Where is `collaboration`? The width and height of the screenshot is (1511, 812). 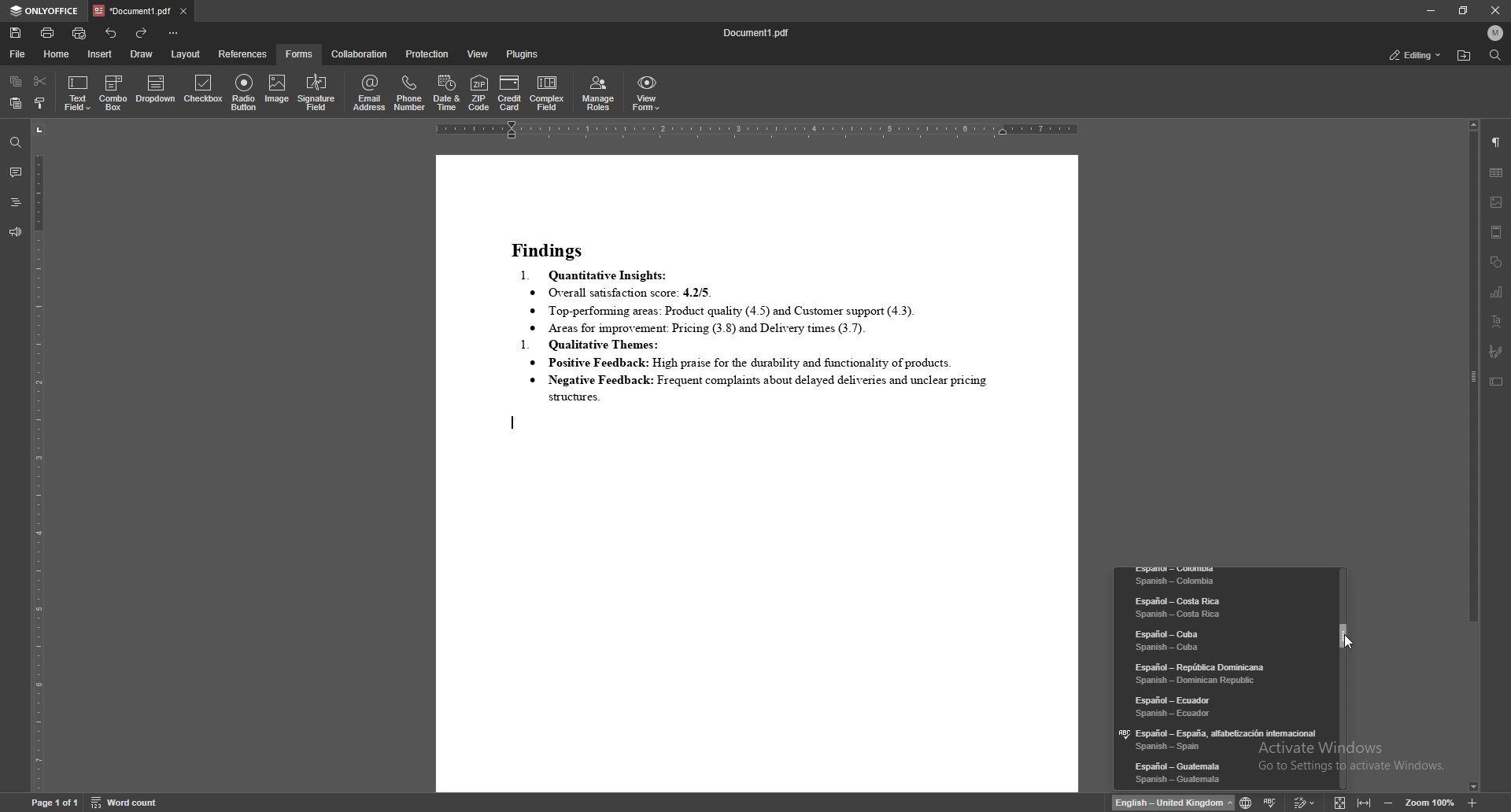
collaboration is located at coordinates (361, 54).